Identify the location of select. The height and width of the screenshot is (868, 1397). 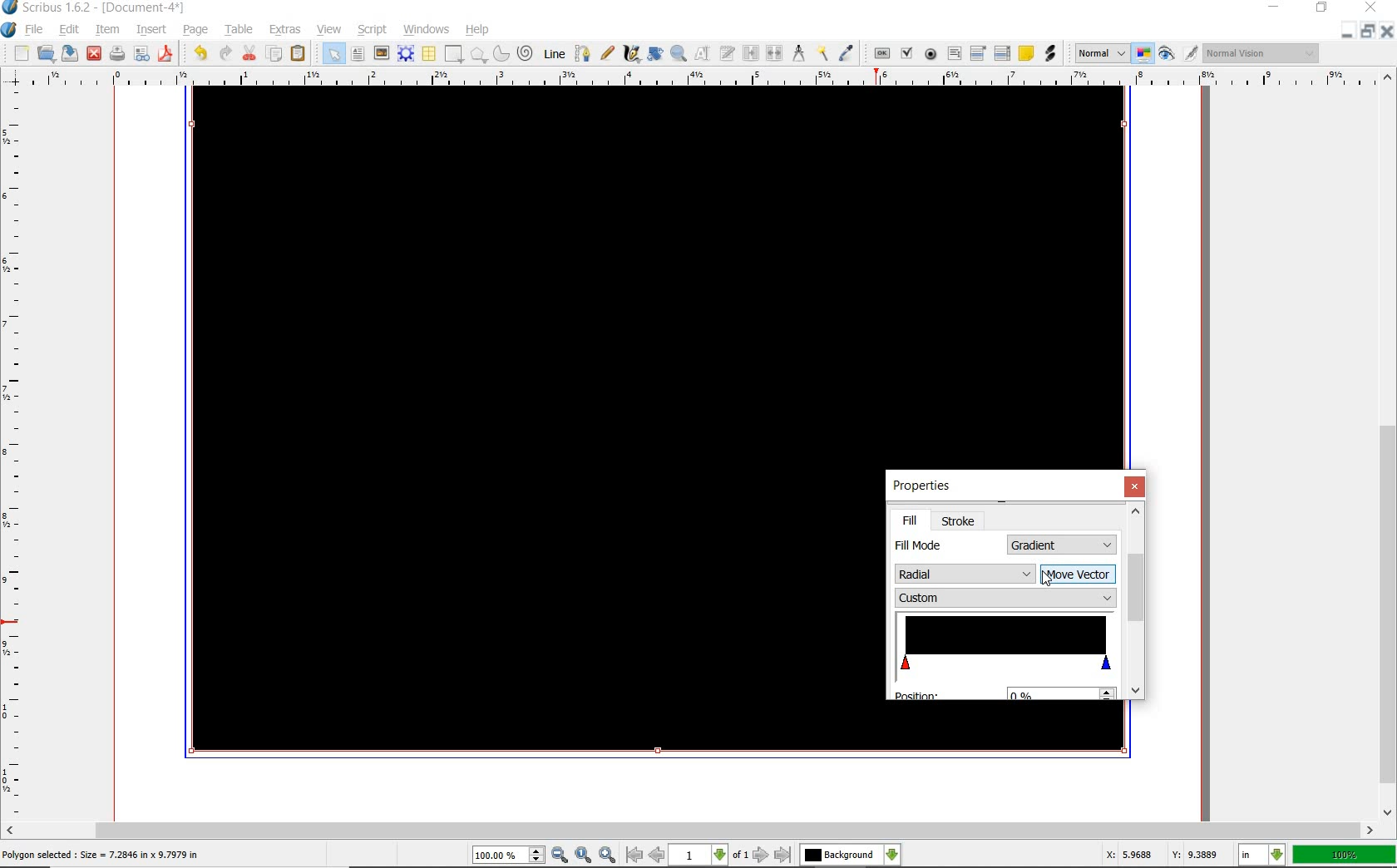
(332, 52).